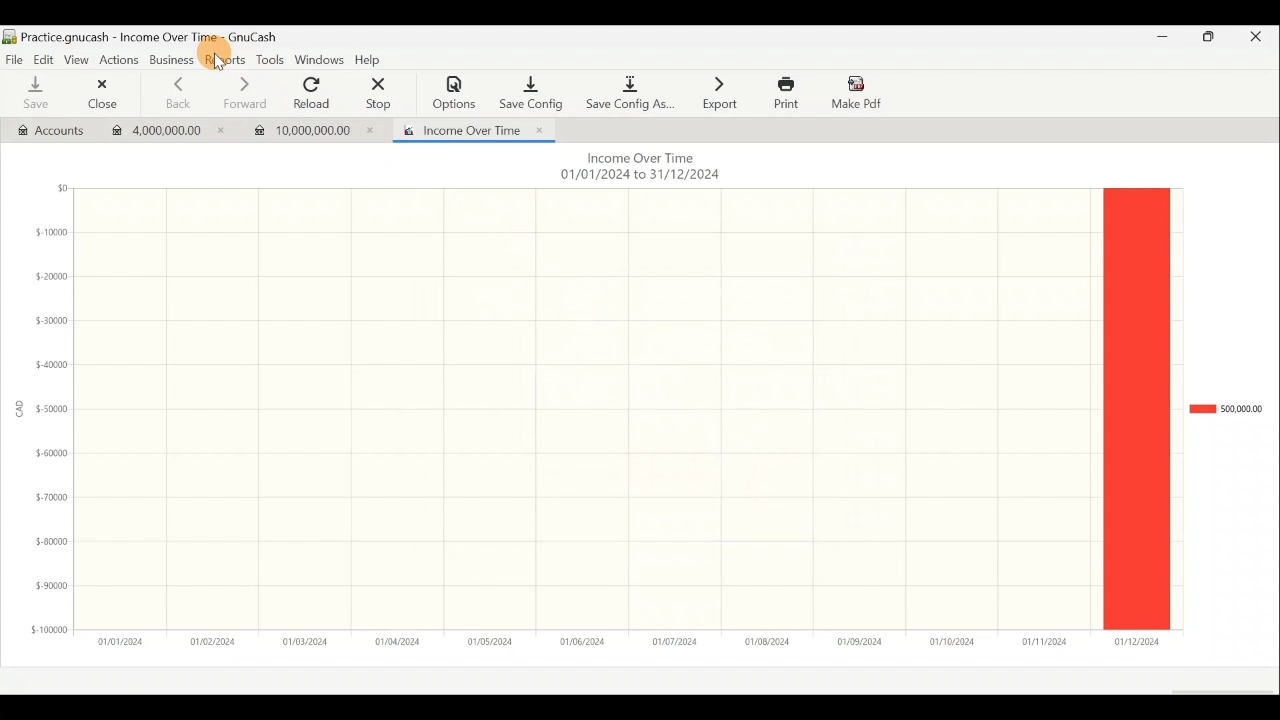  I want to click on Options, so click(455, 93).